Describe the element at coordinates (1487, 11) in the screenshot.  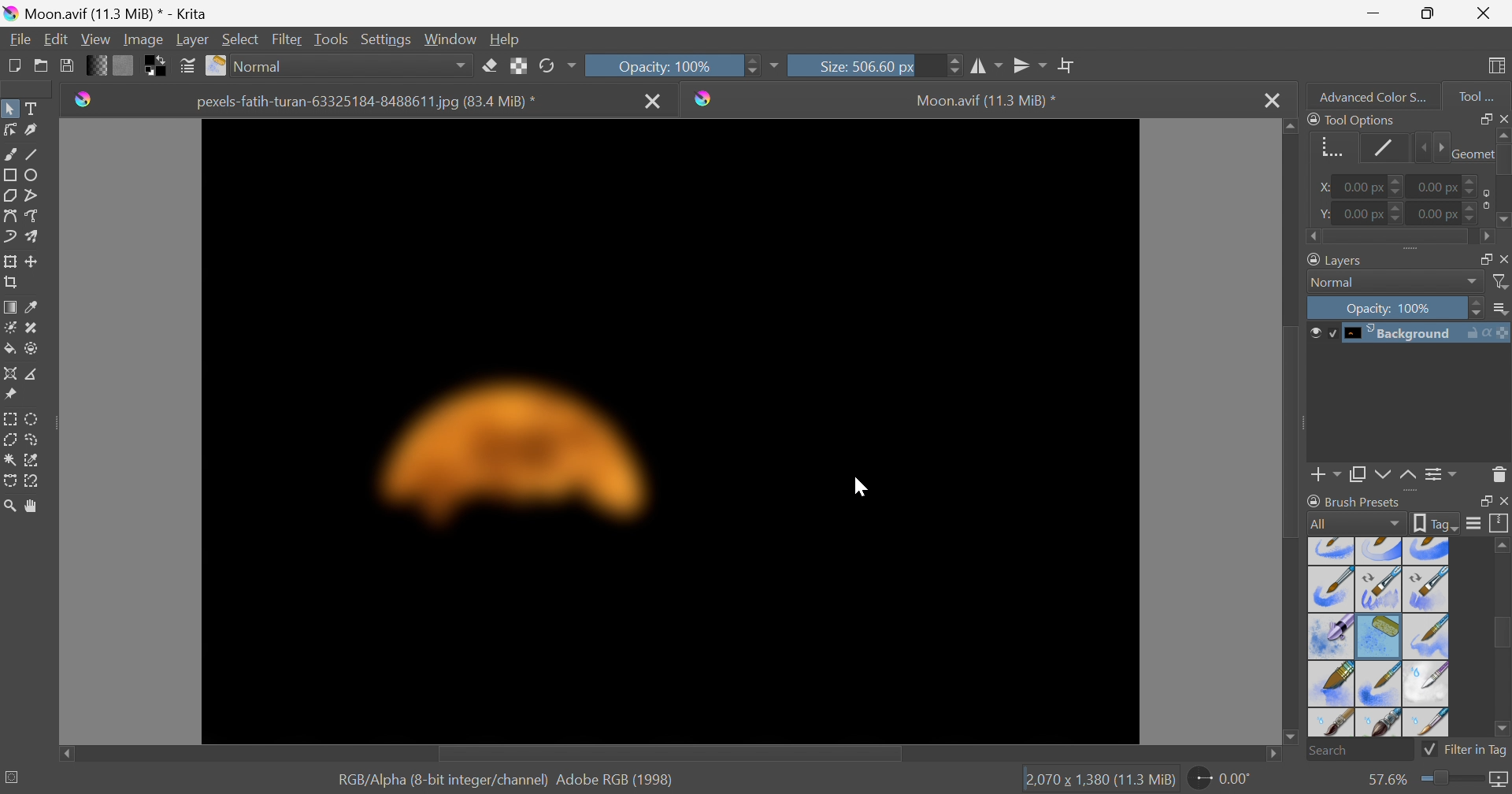
I see `Close` at that location.